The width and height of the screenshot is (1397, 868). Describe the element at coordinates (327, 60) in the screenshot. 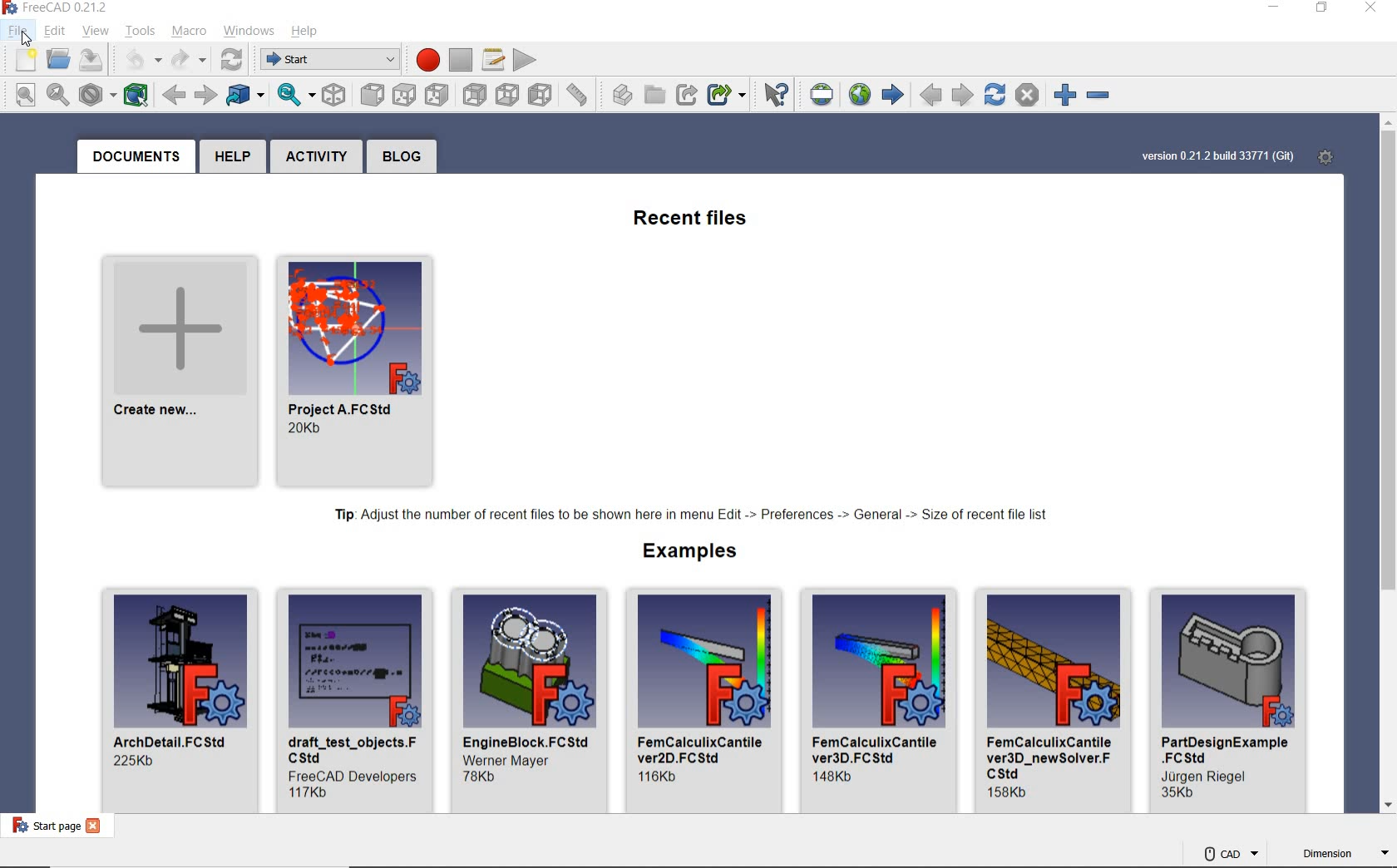

I see `SWITCH BETWEEN WORKBENCES` at that location.